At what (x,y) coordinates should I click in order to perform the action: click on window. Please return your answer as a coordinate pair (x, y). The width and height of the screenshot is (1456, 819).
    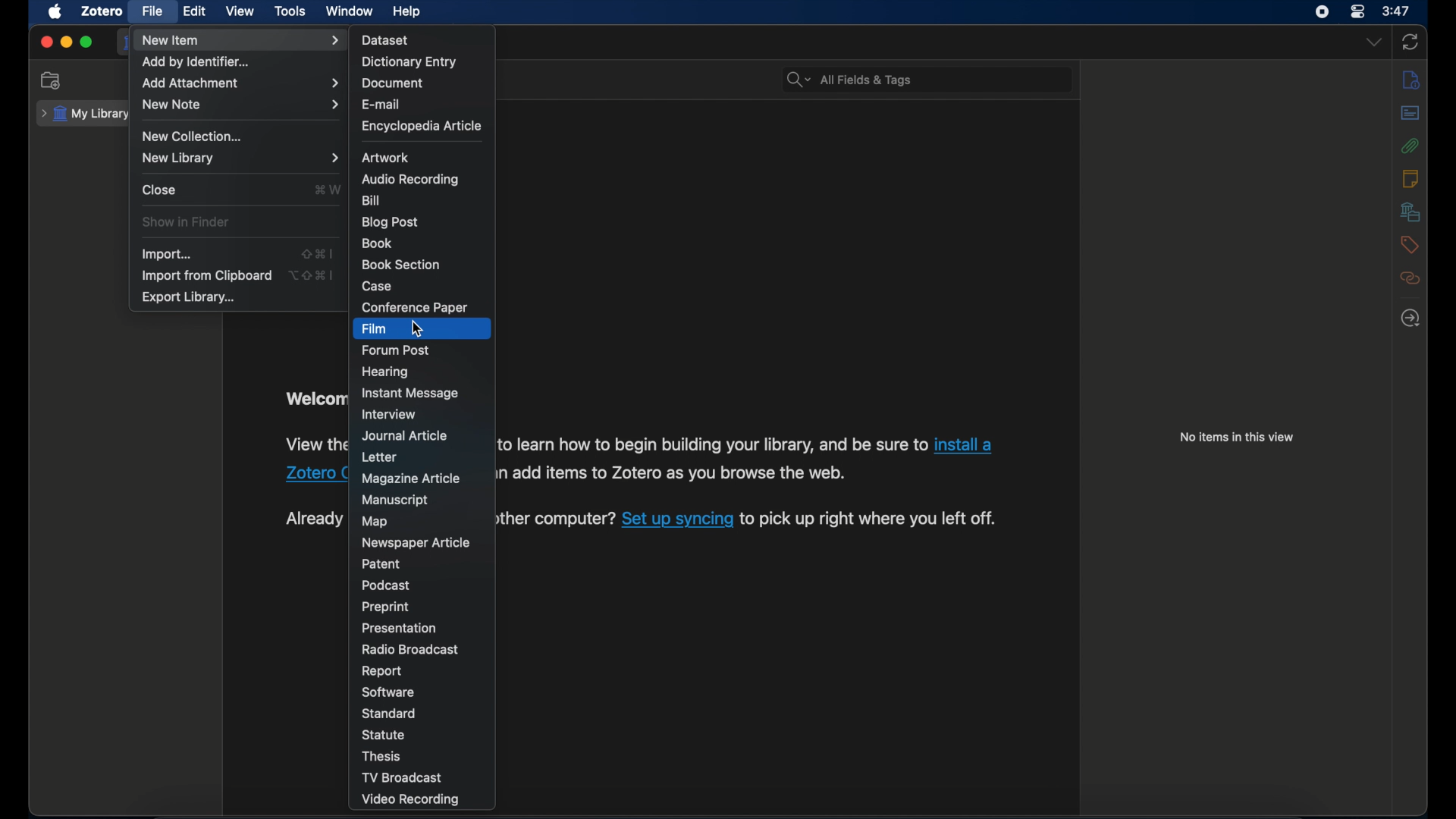
    Looking at the image, I should click on (351, 11).